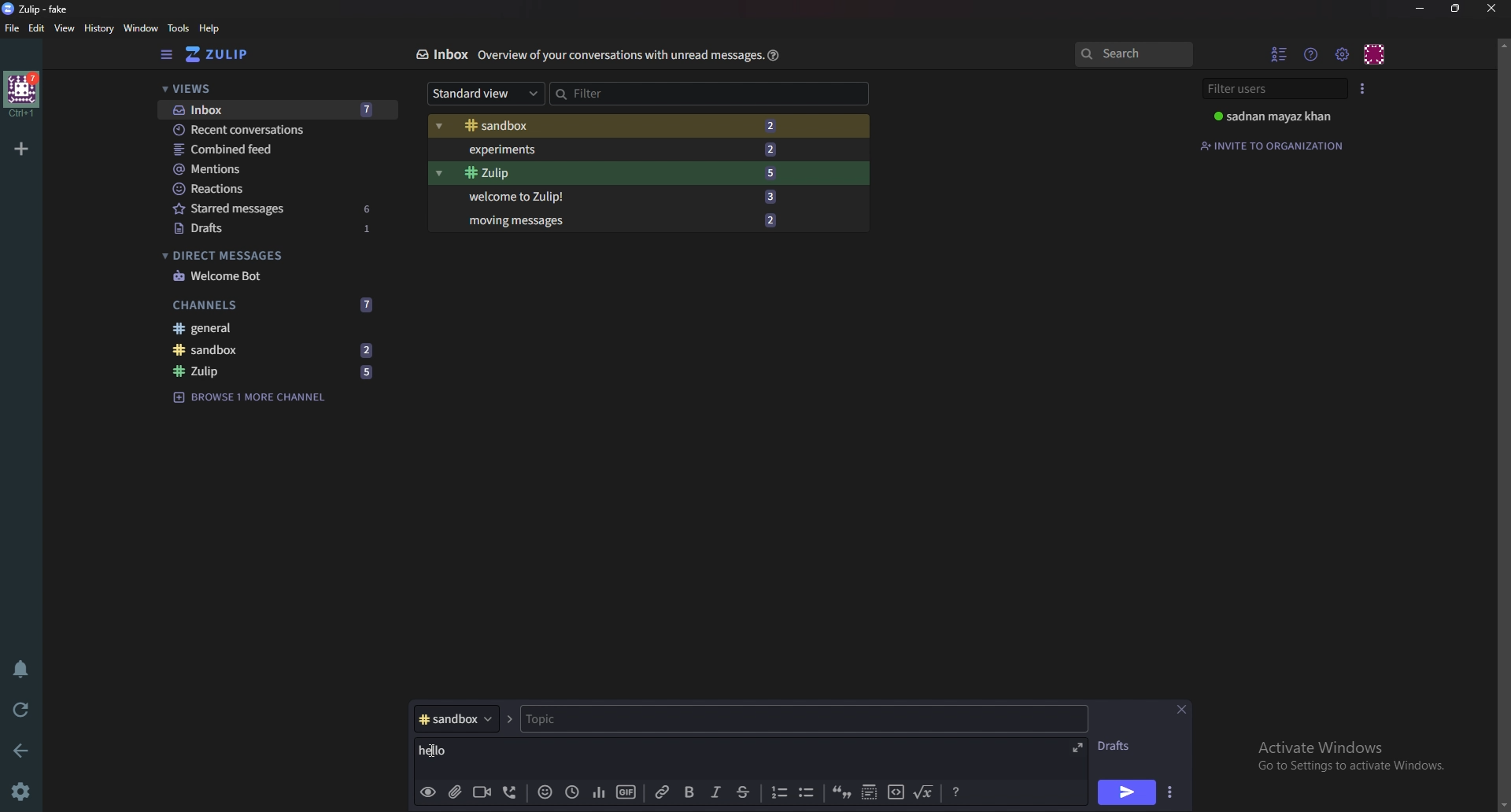 The height and width of the screenshot is (812, 1511). I want to click on Close, so click(1182, 710).